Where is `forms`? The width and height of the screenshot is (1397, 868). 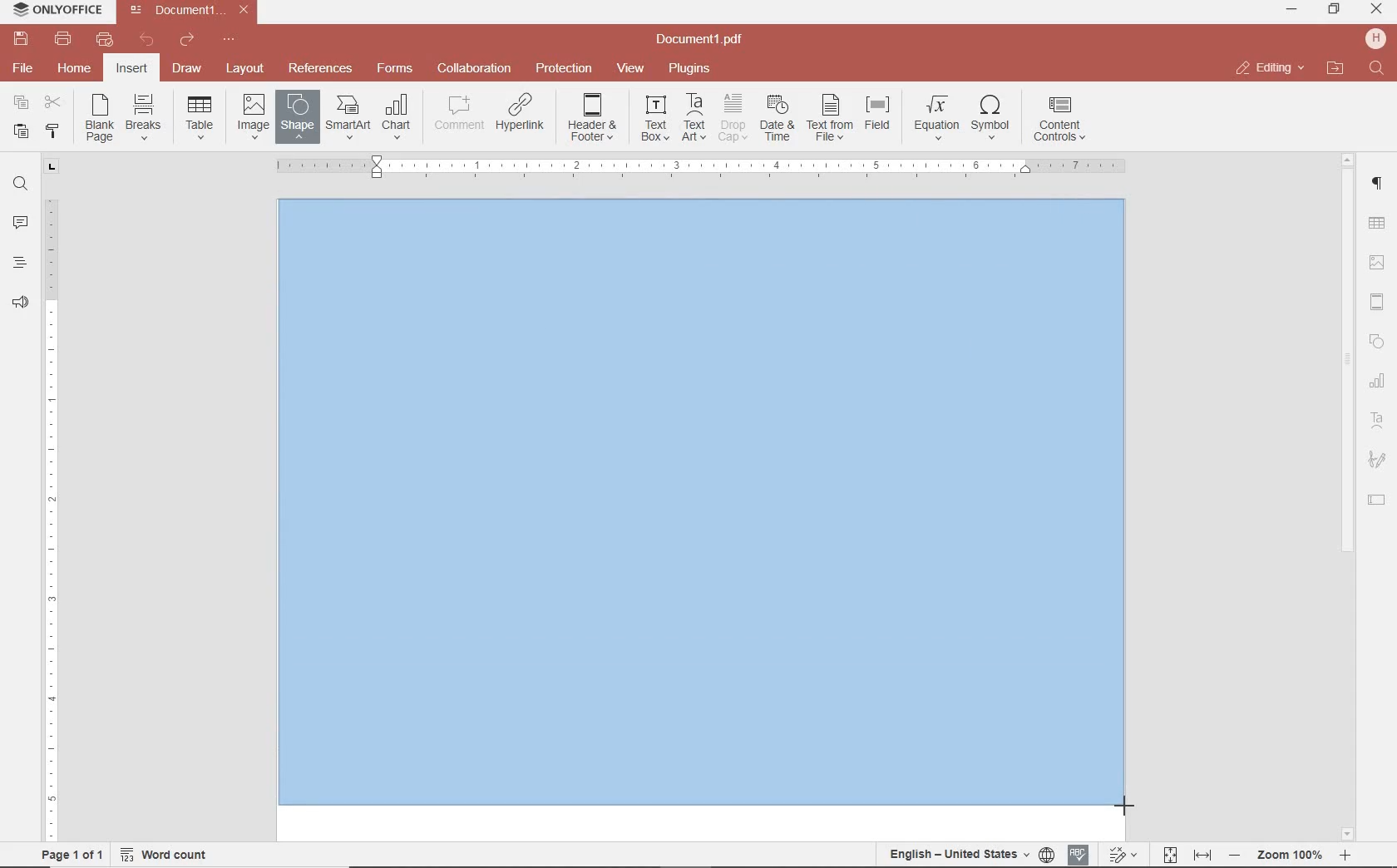 forms is located at coordinates (395, 68).